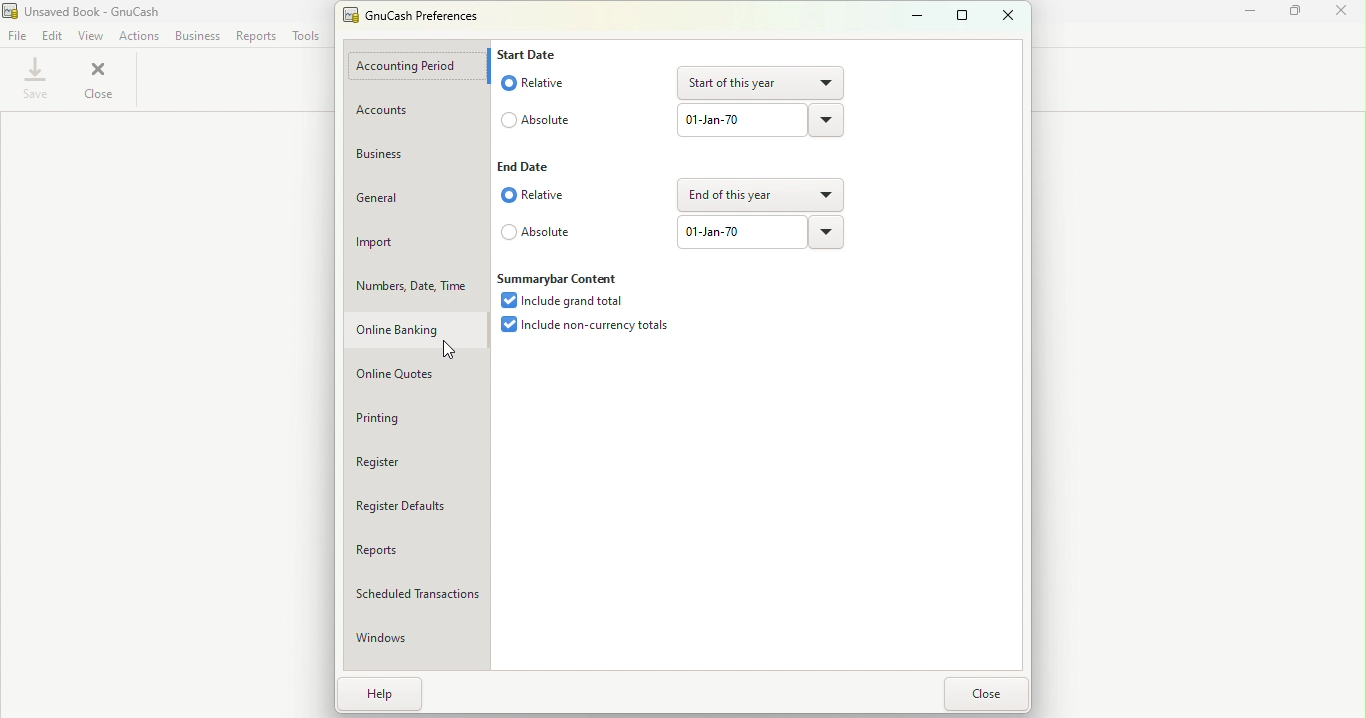 This screenshot has width=1366, height=718. Describe the element at coordinates (386, 693) in the screenshot. I see `Help` at that location.